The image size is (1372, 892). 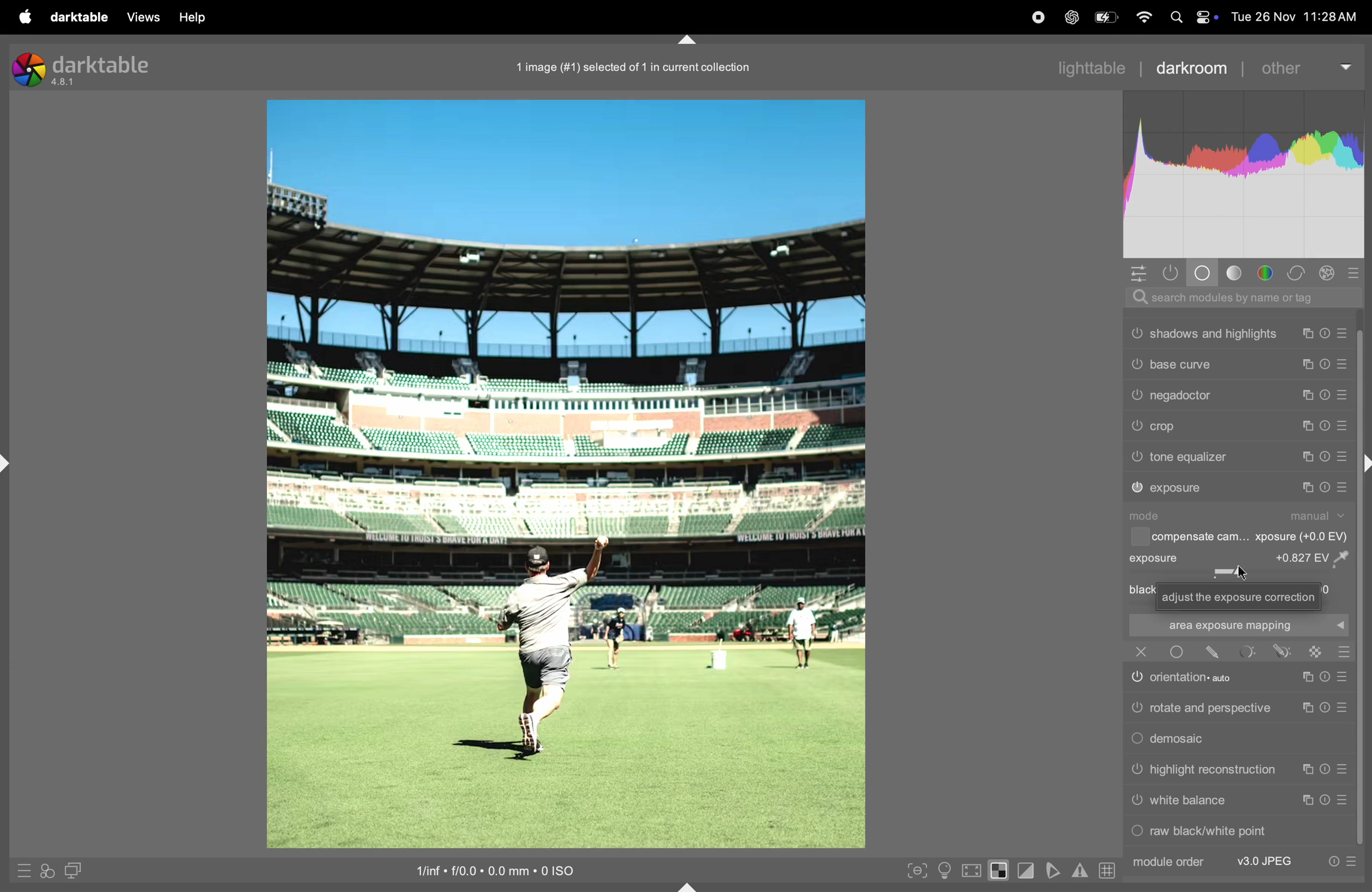 What do you see at coordinates (1267, 273) in the screenshot?
I see `color` at bounding box center [1267, 273].